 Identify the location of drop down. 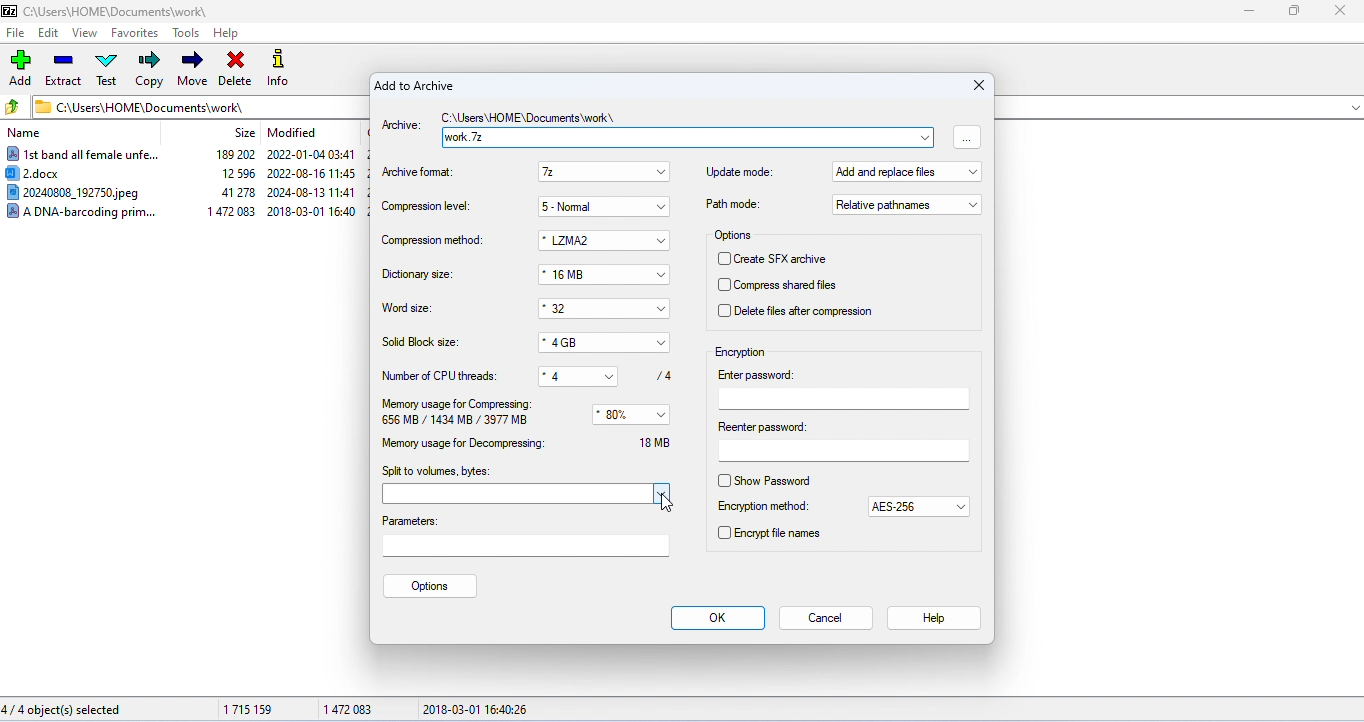
(663, 494).